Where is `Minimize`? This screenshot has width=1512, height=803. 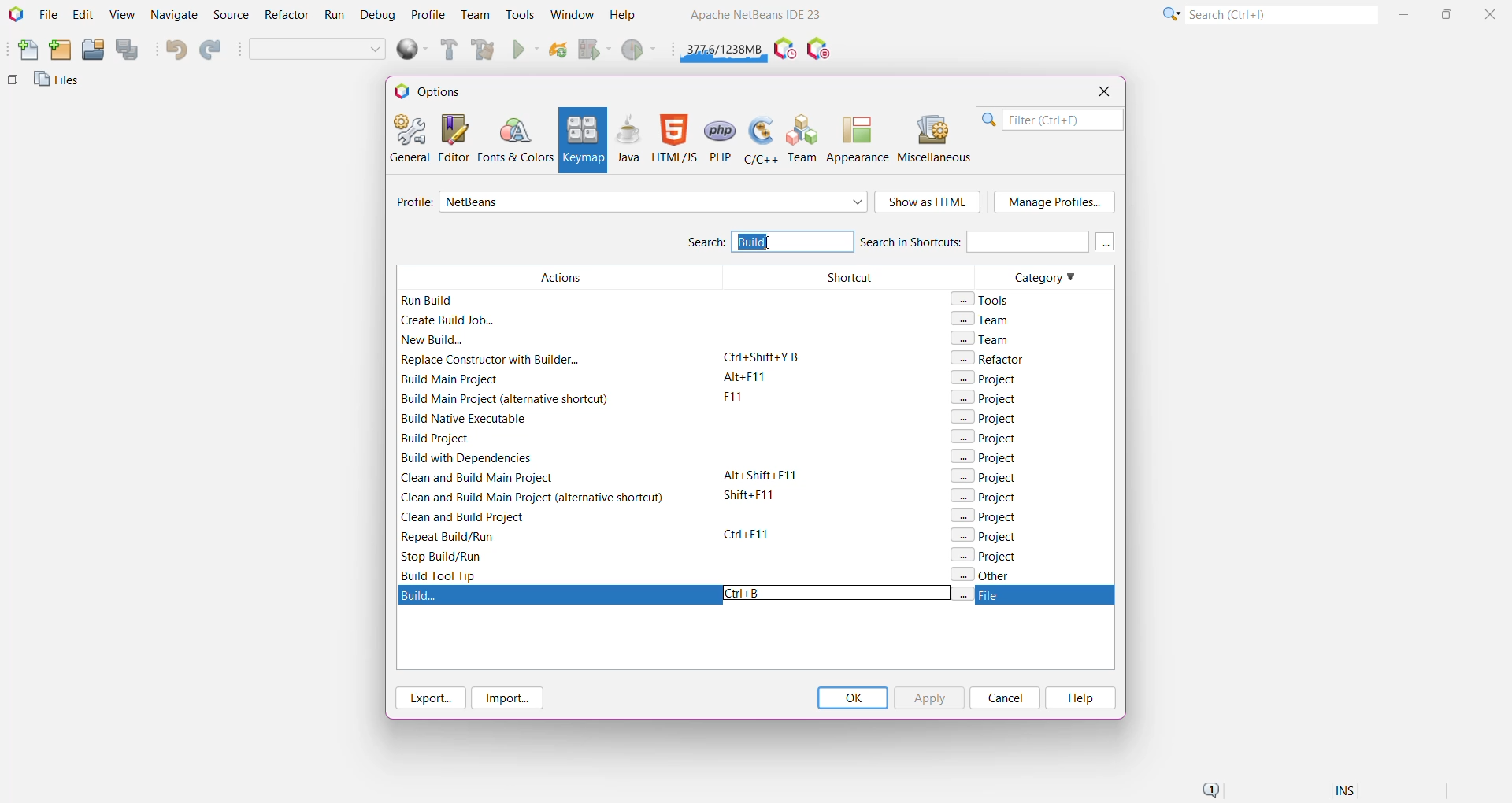
Minimize is located at coordinates (1406, 14).